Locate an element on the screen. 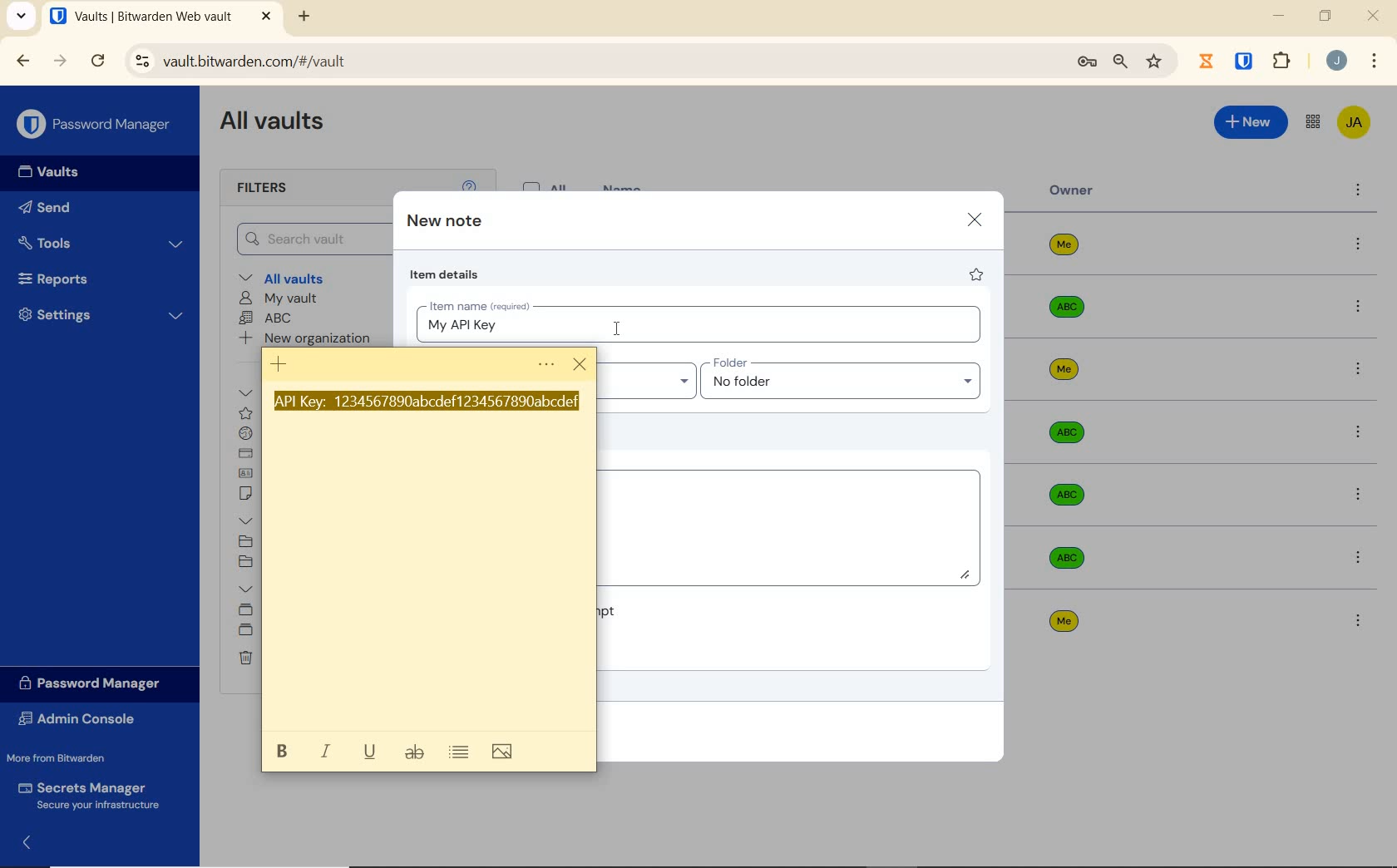 Image resolution: width=1397 pixels, height=868 pixels. Collections is located at coordinates (245, 587).